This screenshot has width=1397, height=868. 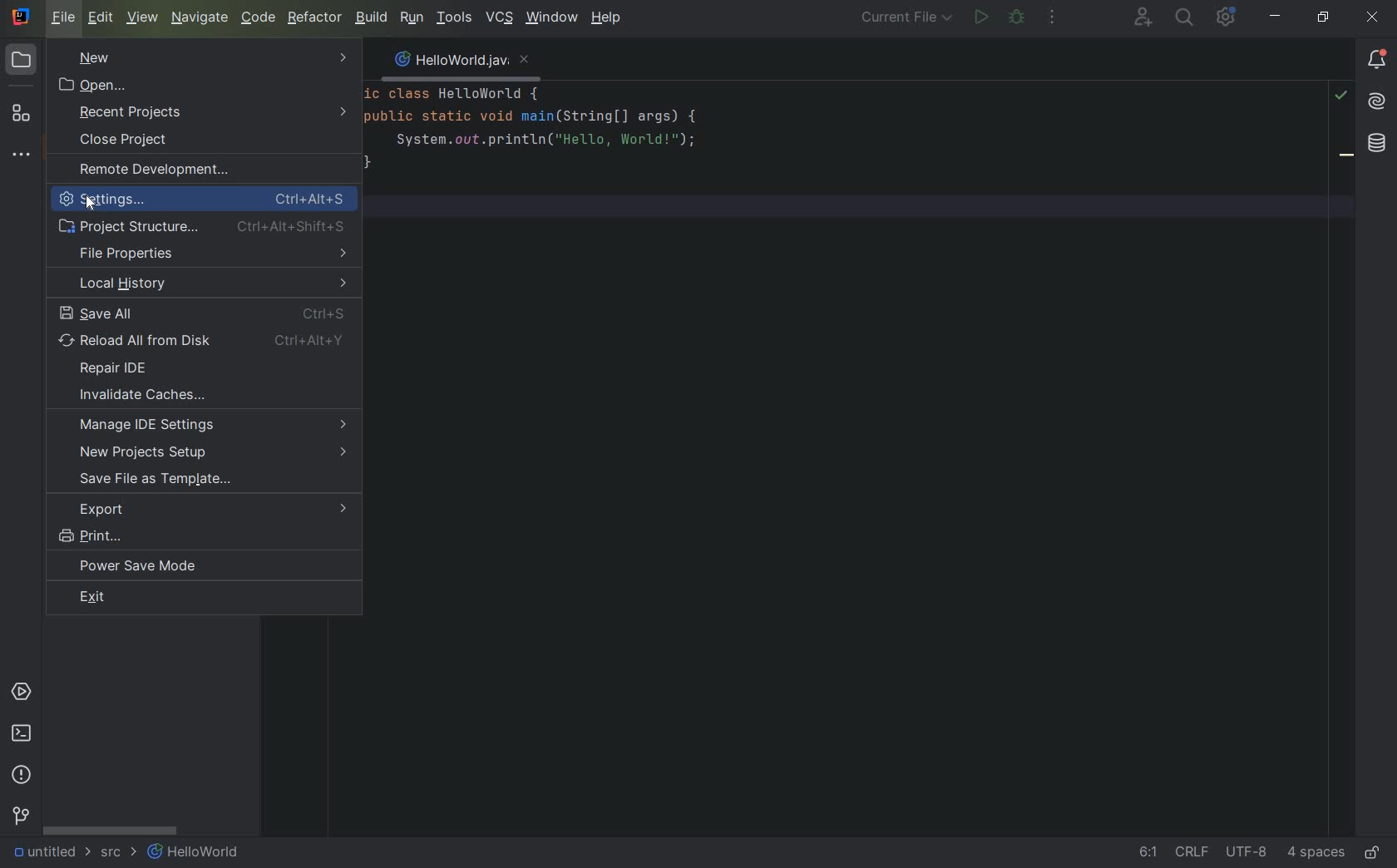 What do you see at coordinates (215, 424) in the screenshot?
I see `manage IDE Settings` at bounding box center [215, 424].